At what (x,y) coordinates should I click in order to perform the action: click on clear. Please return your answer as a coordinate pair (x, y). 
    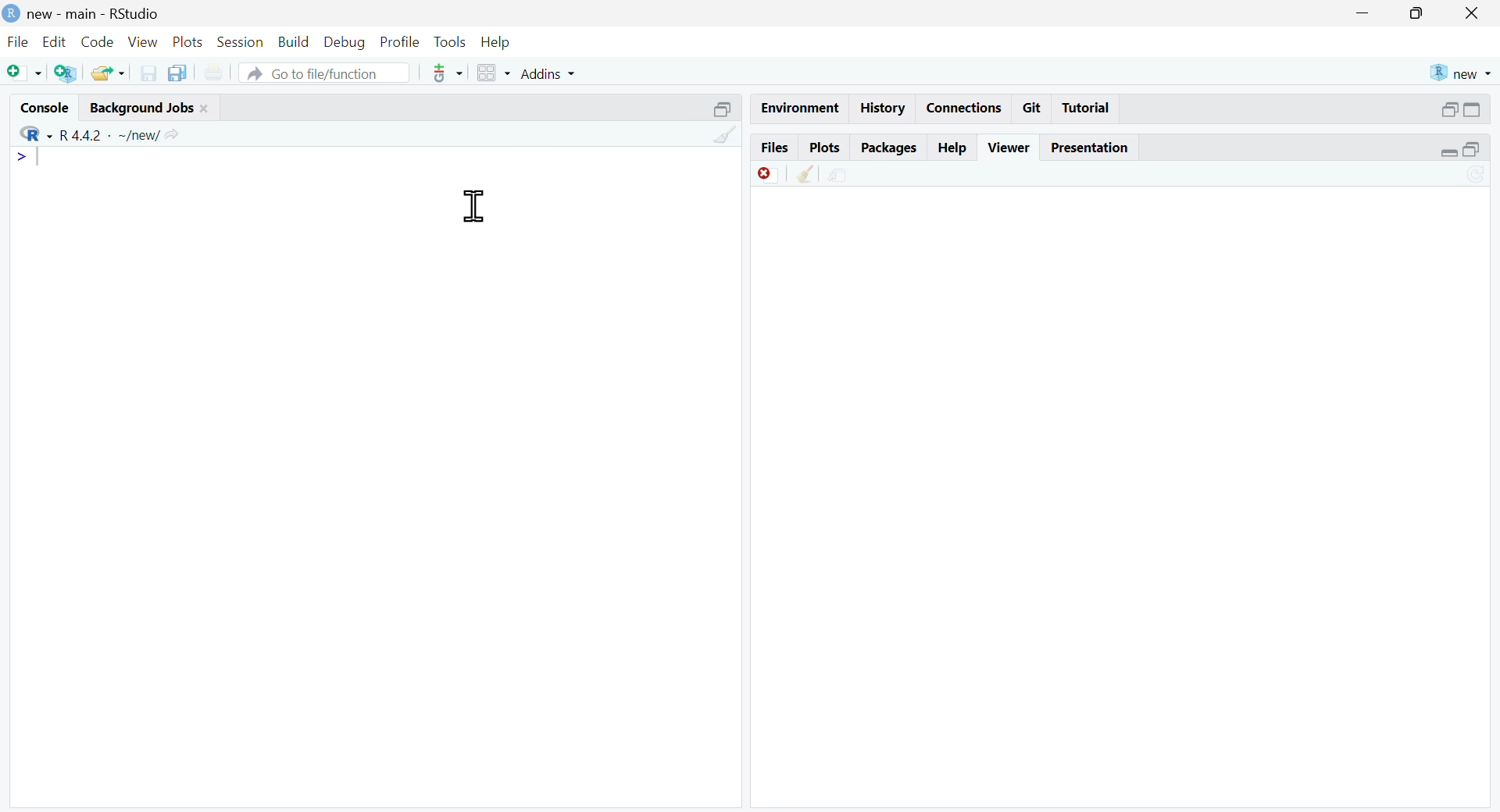
    Looking at the image, I should click on (808, 173).